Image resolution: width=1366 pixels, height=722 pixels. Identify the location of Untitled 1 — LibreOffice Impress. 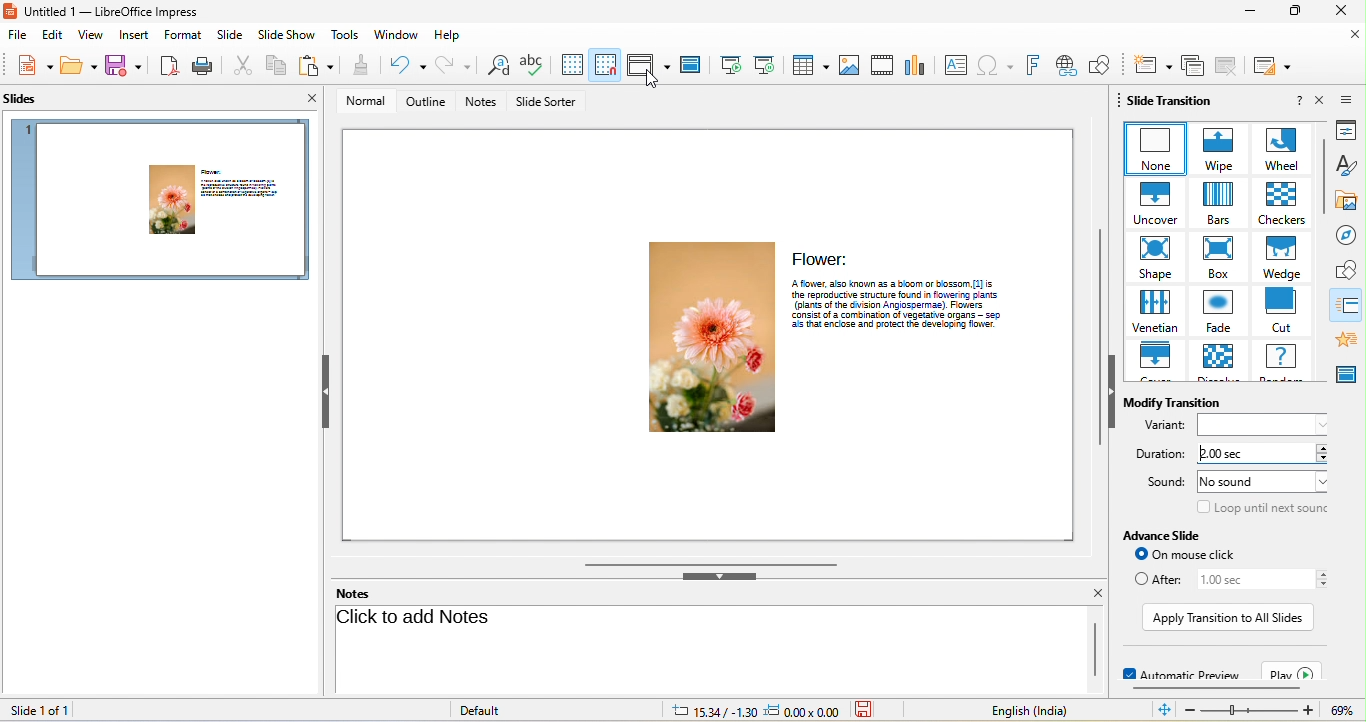
(105, 11).